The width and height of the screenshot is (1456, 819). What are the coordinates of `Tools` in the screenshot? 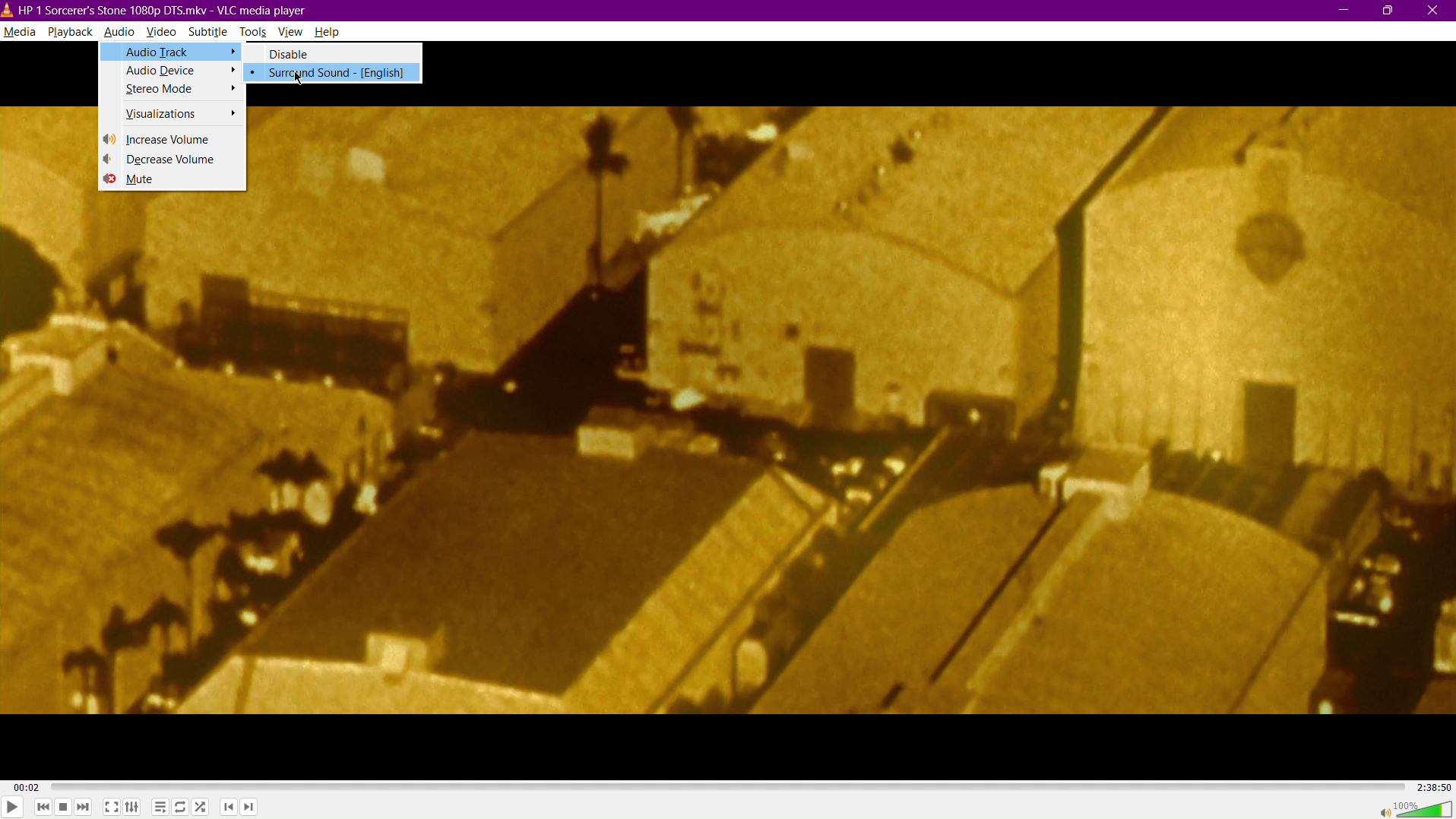 It's located at (255, 33).